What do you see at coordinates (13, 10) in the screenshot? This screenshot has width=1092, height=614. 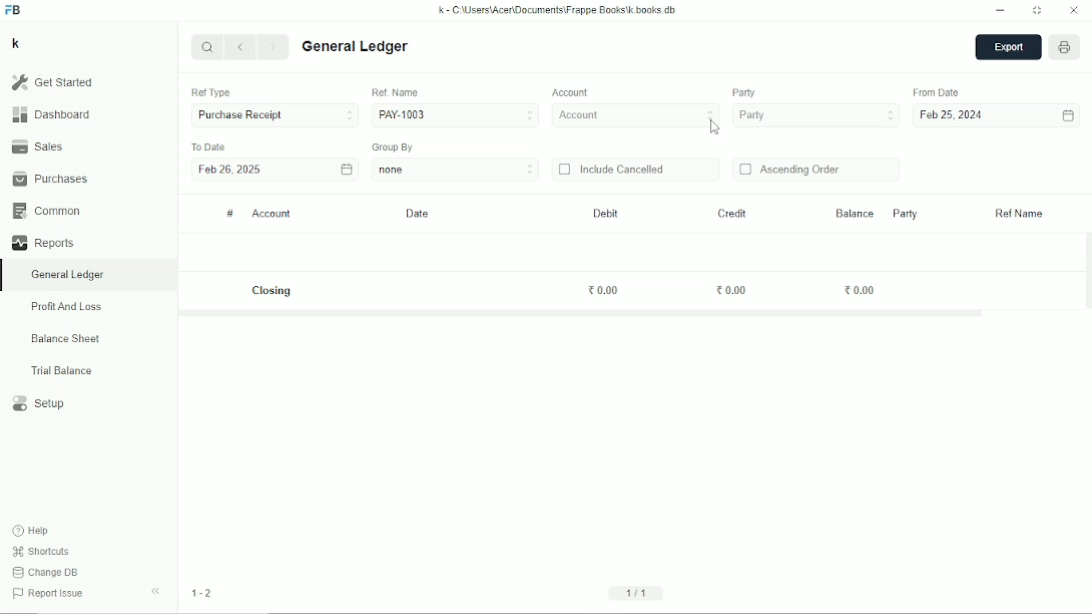 I see `FB` at bounding box center [13, 10].